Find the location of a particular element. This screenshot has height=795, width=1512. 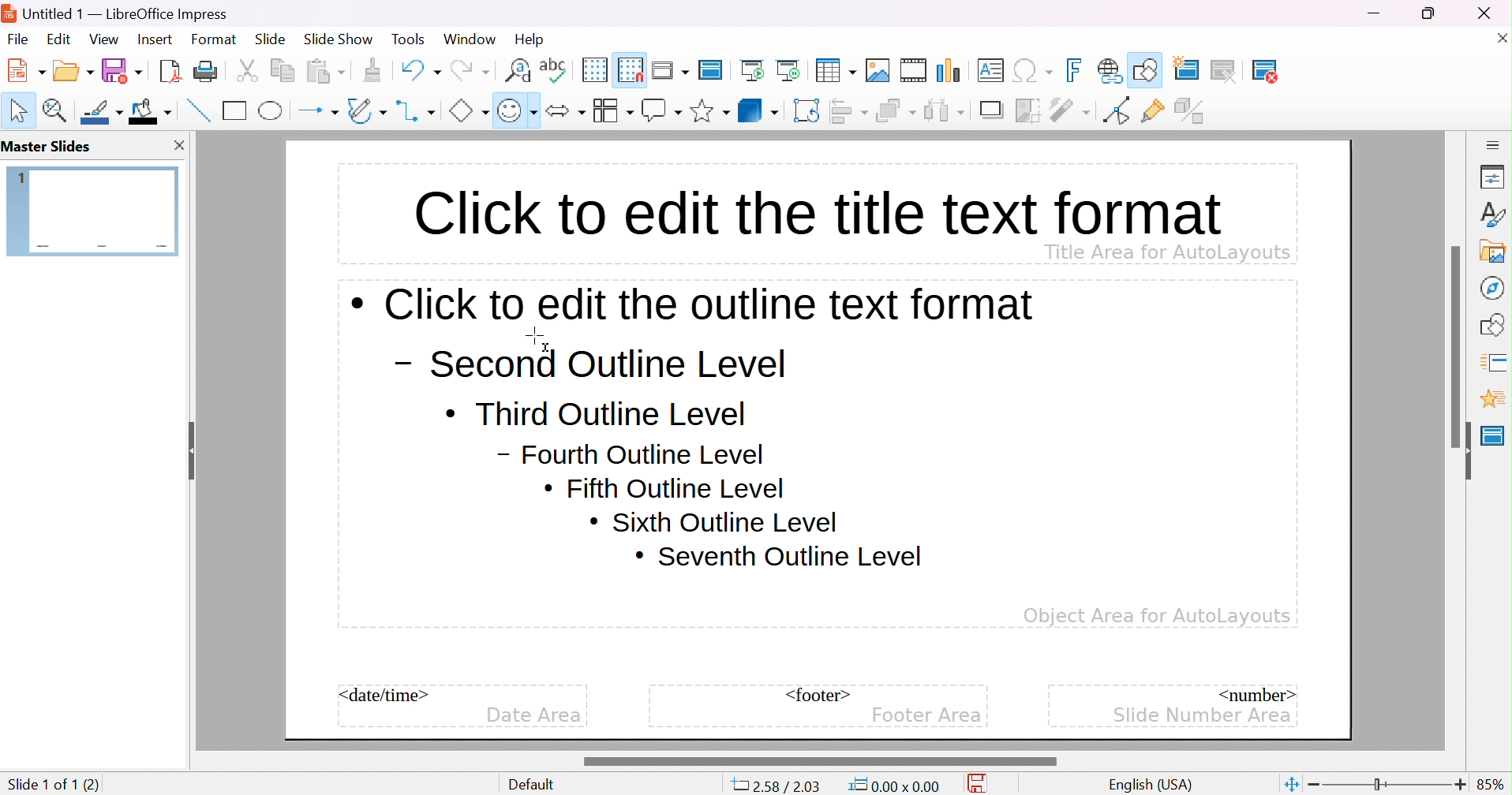

save is located at coordinates (122, 70).